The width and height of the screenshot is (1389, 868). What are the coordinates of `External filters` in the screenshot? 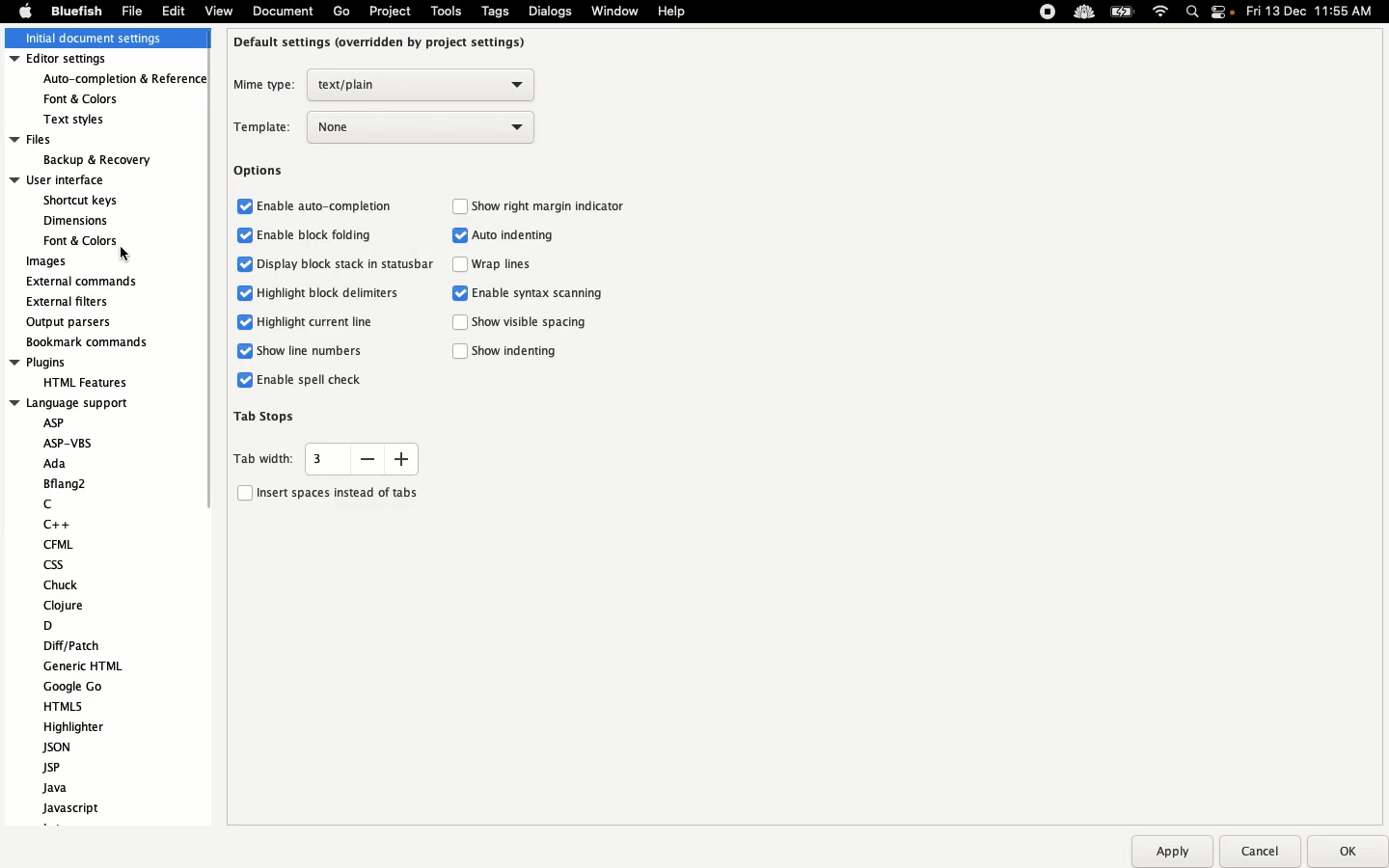 It's located at (70, 302).